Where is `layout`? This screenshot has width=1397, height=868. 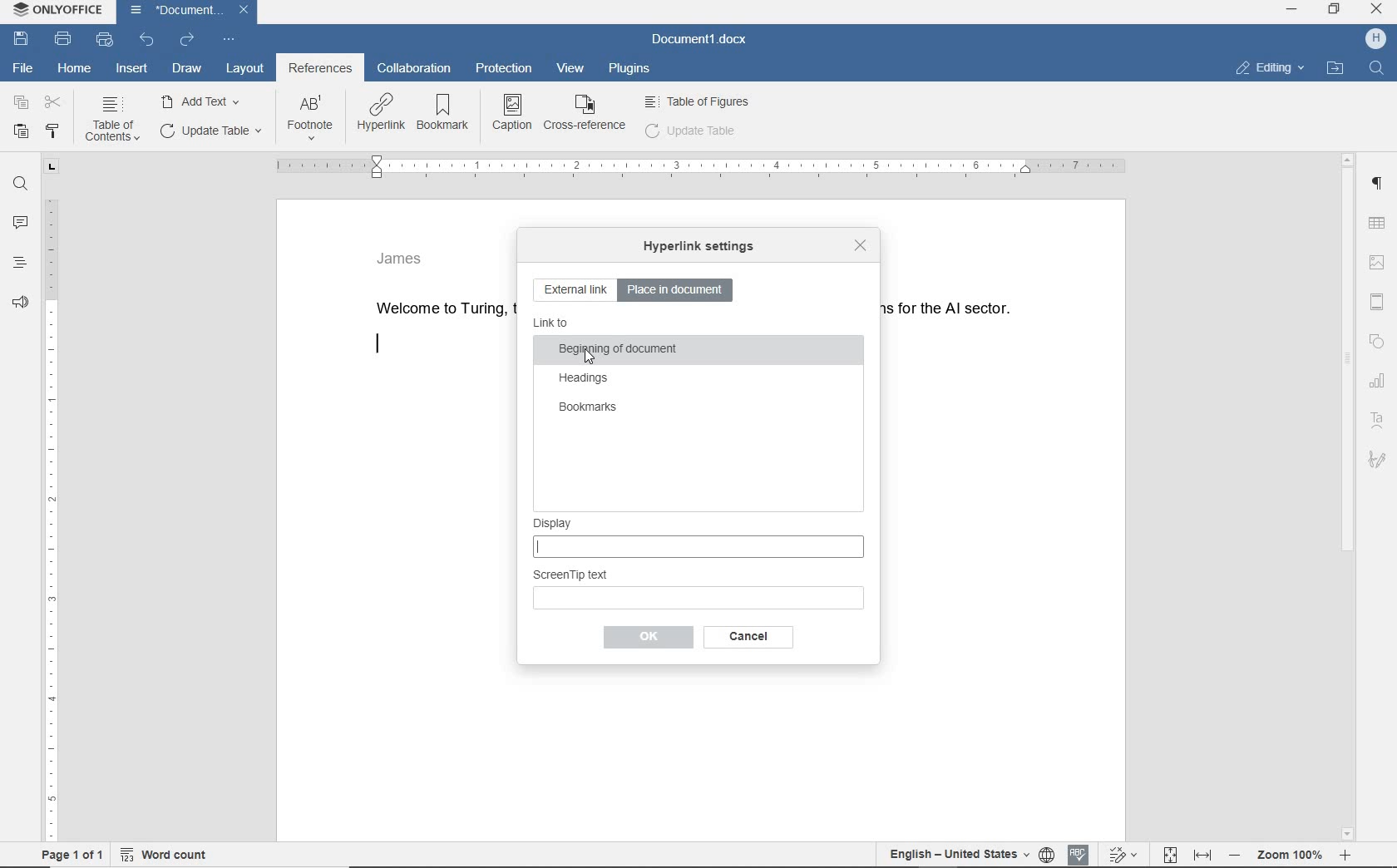 layout is located at coordinates (244, 67).